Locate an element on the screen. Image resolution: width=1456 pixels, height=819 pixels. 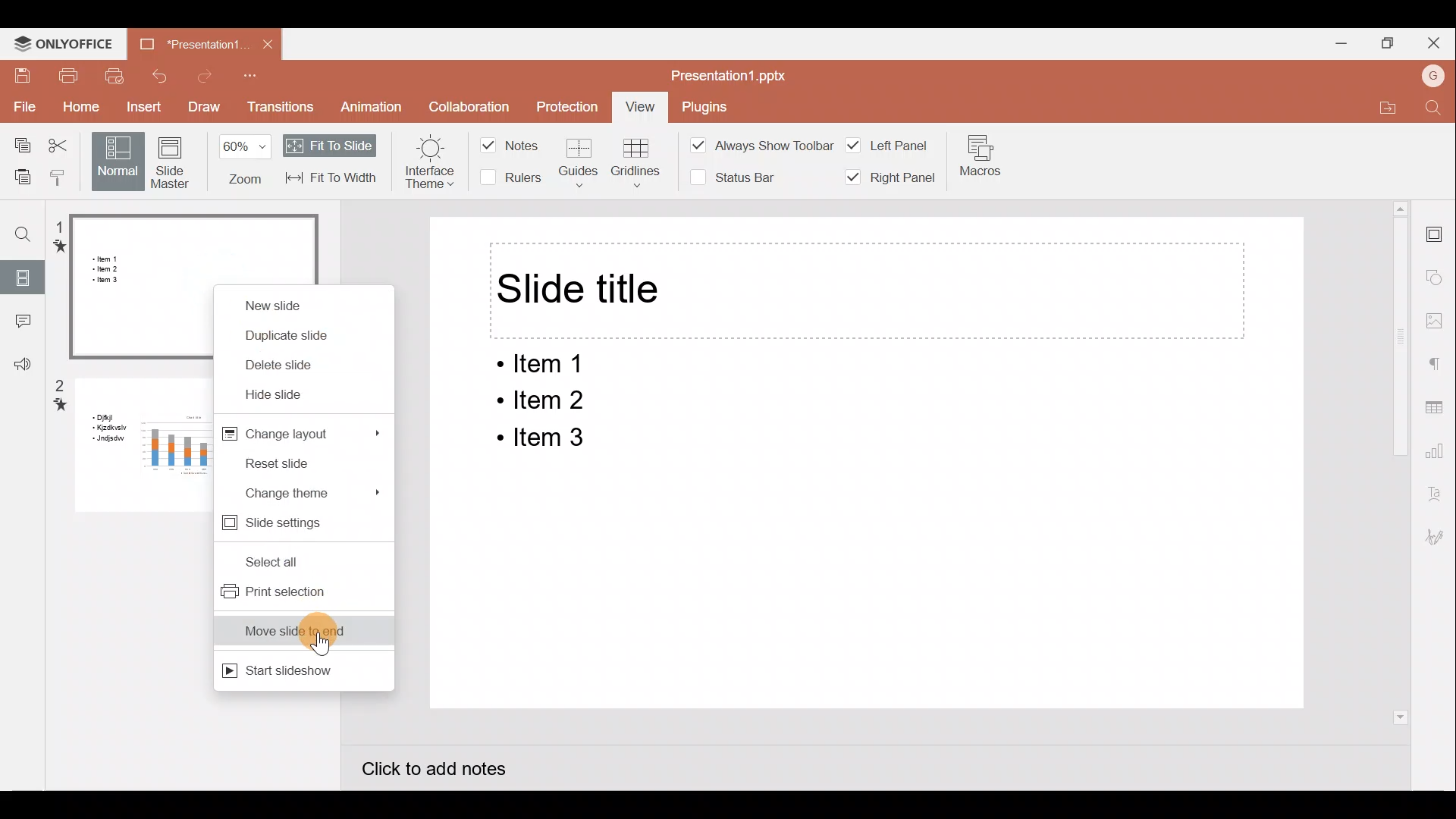
Save is located at coordinates (20, 76).